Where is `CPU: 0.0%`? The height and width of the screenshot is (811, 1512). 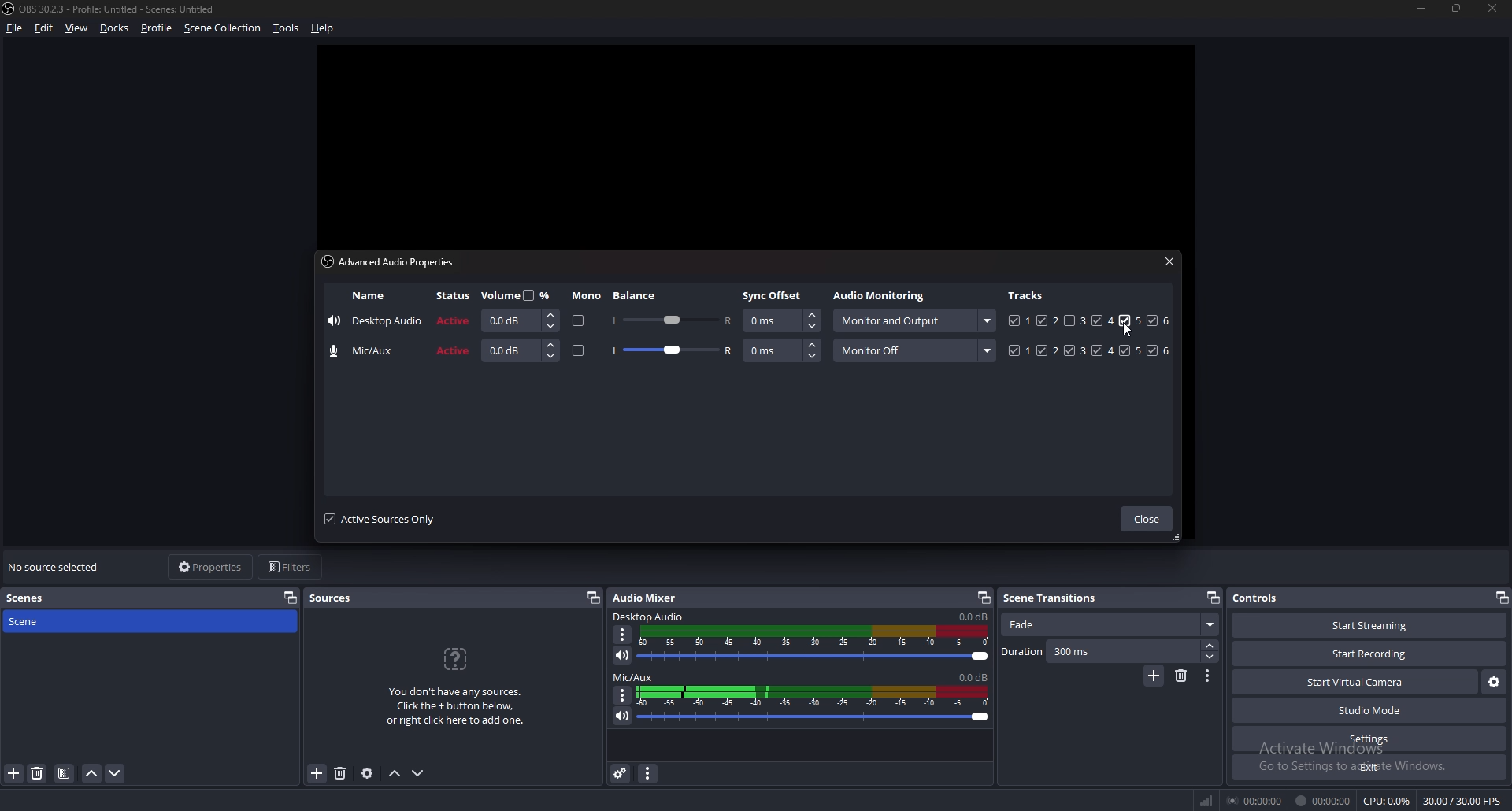
CPU: 0.0% is located at coordinates (1387, 802).